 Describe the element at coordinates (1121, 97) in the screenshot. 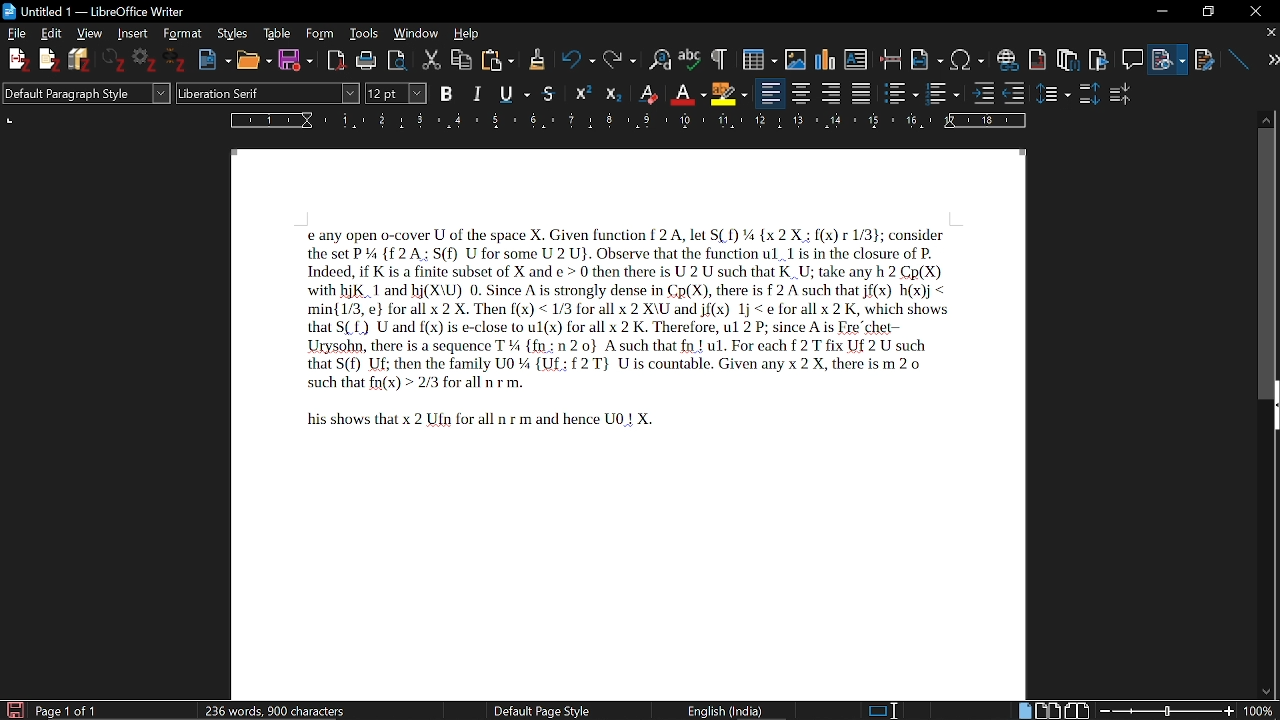

I see `decrease paragraph space` at that location.